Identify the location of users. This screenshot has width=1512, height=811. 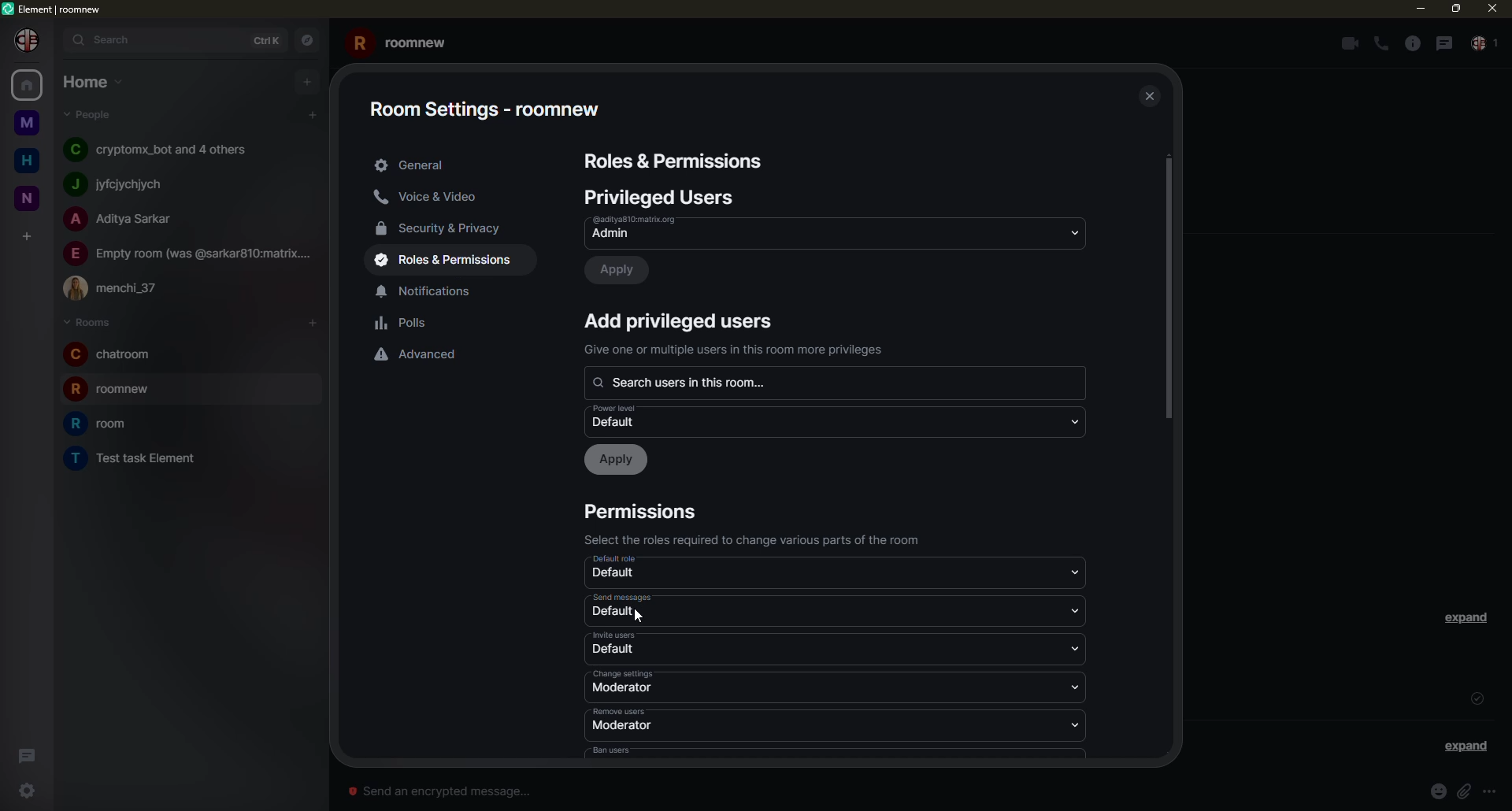
(663, 197).